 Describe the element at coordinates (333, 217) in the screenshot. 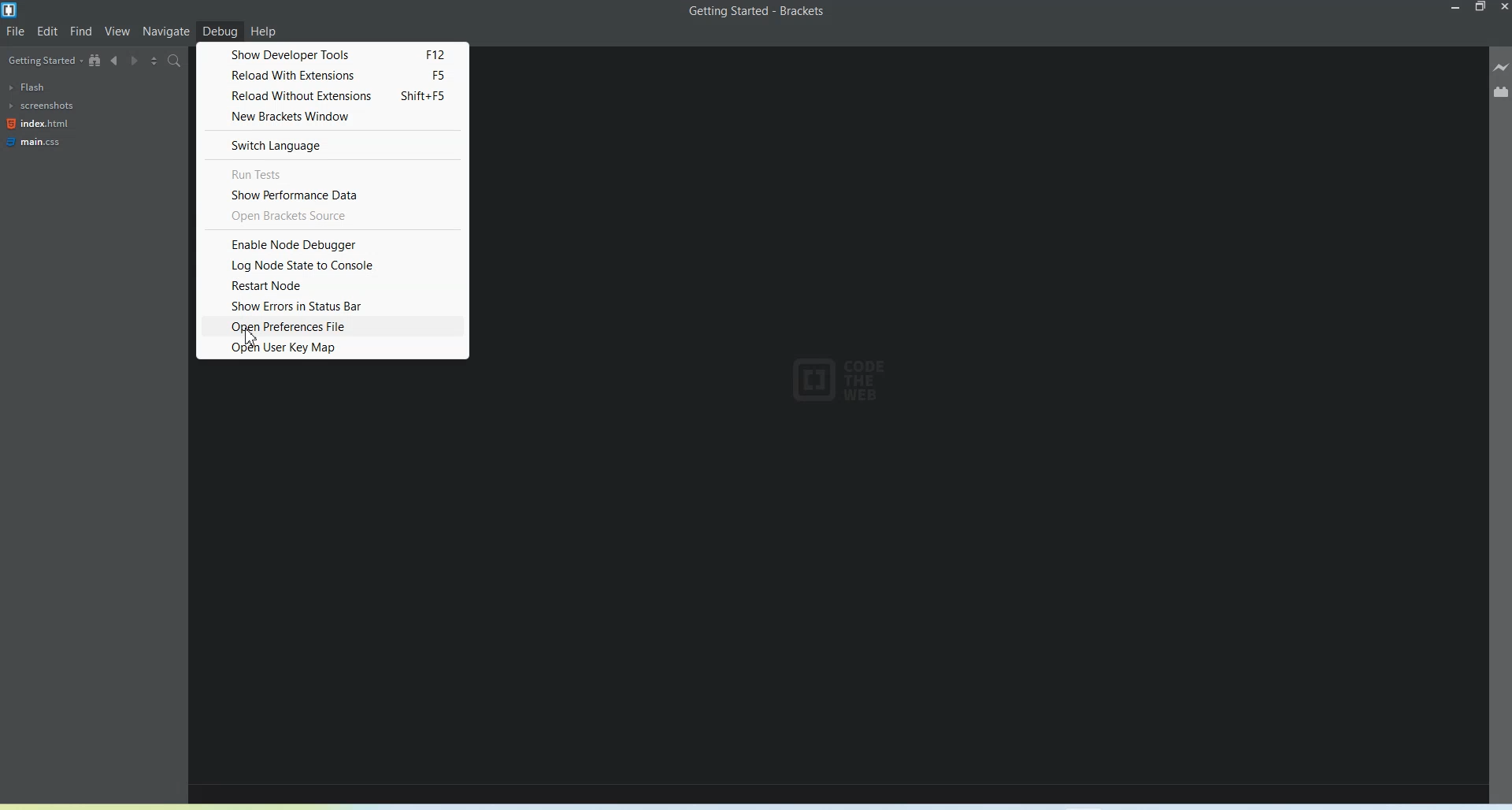

I see `Open Bracket Source` at that location.